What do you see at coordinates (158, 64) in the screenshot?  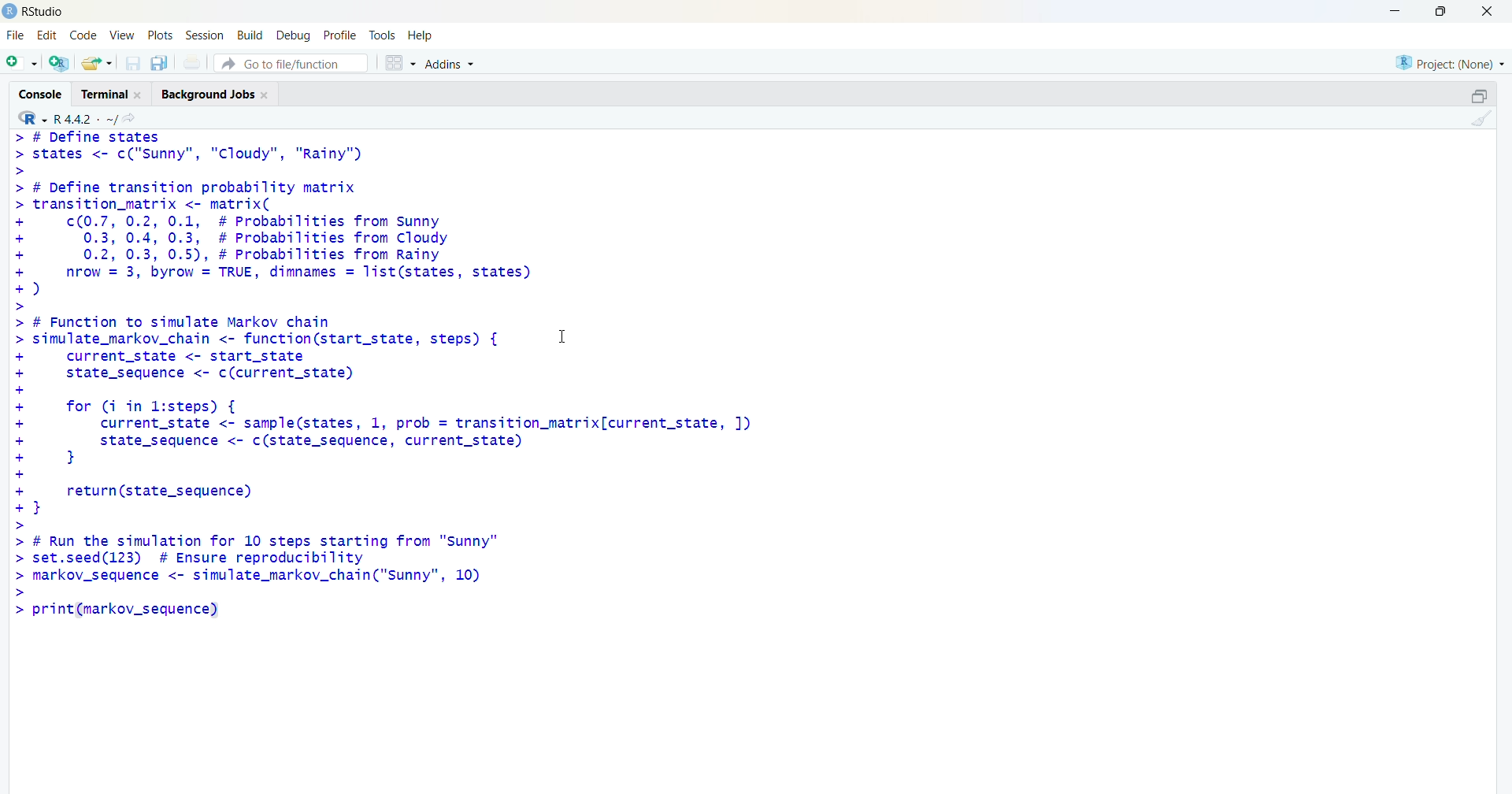 I see `save all open document` at bounding box center [158, 64].